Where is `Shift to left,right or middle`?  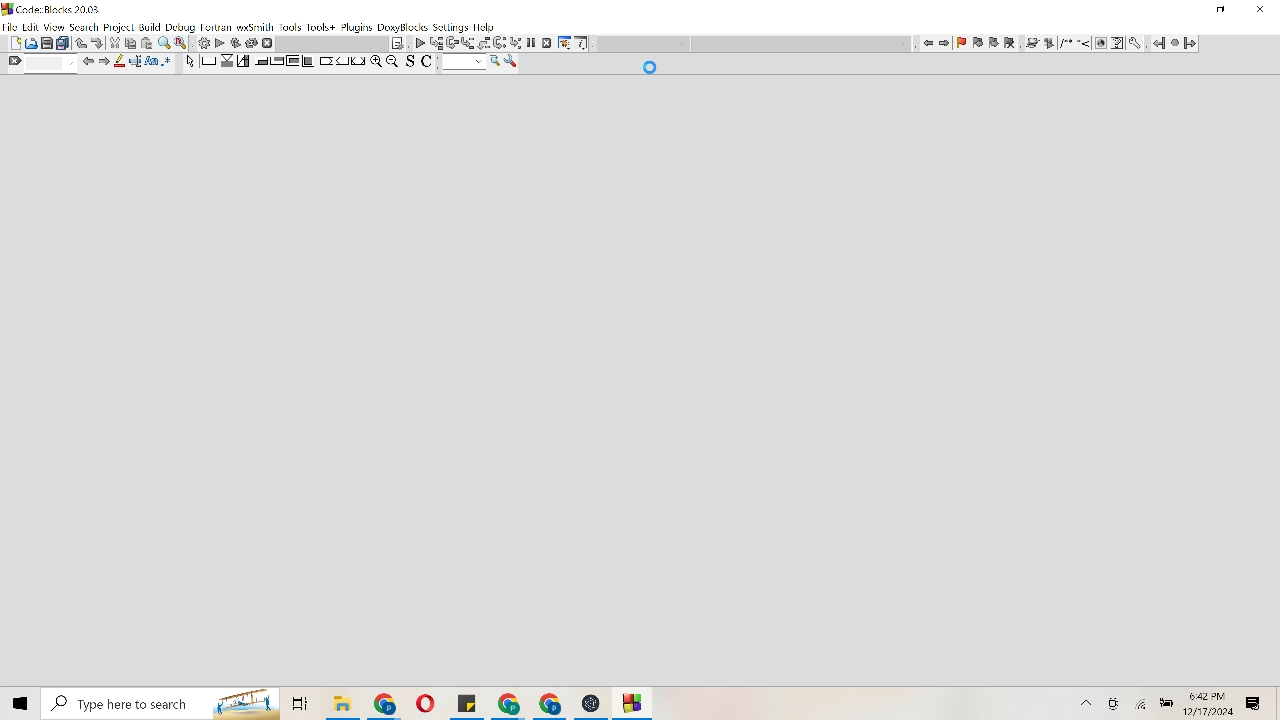
Shift to left,right or middle is located at coordinates (342, 61).